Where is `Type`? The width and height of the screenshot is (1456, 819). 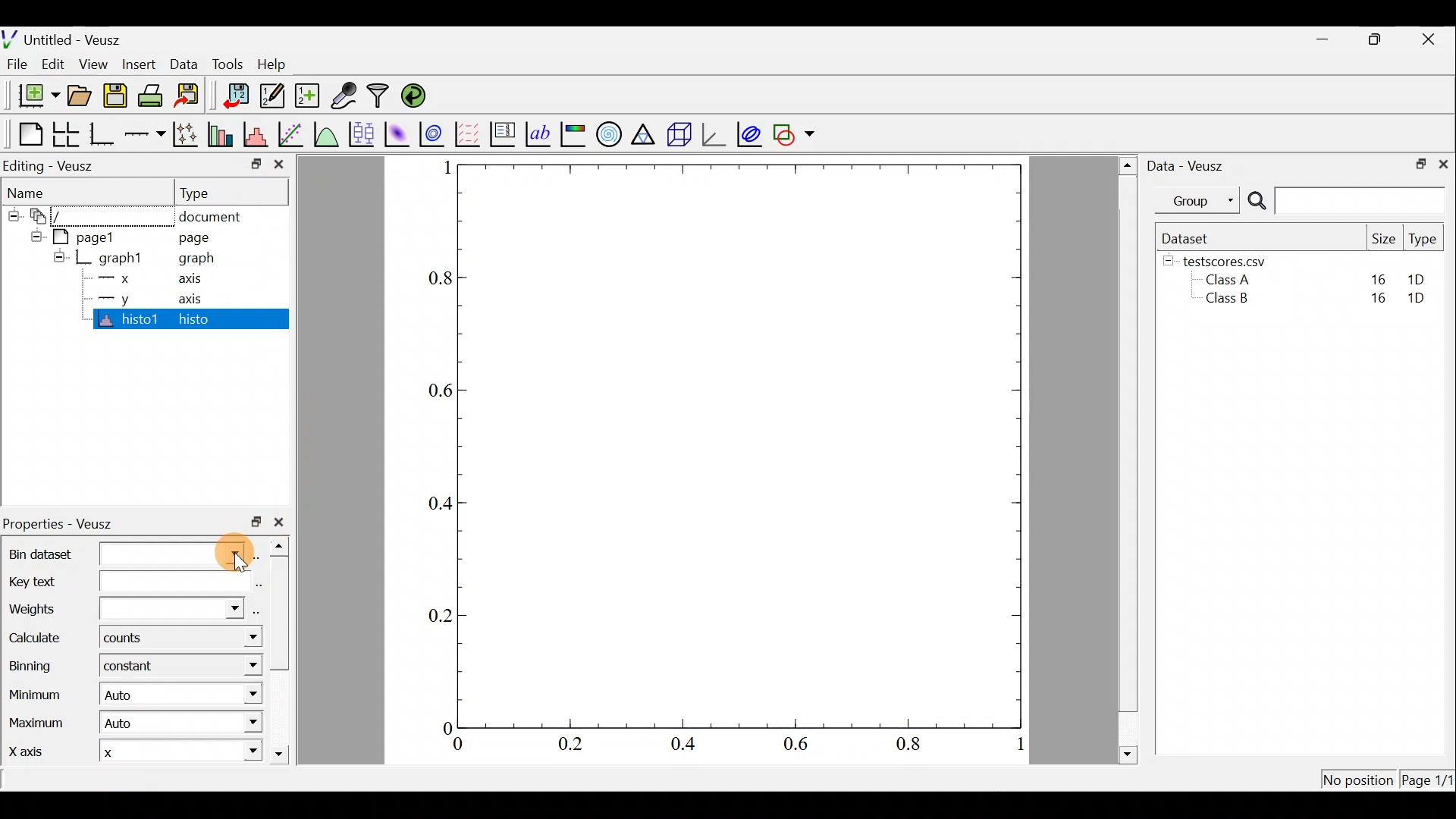
Type is located at coordinates (232, 192).